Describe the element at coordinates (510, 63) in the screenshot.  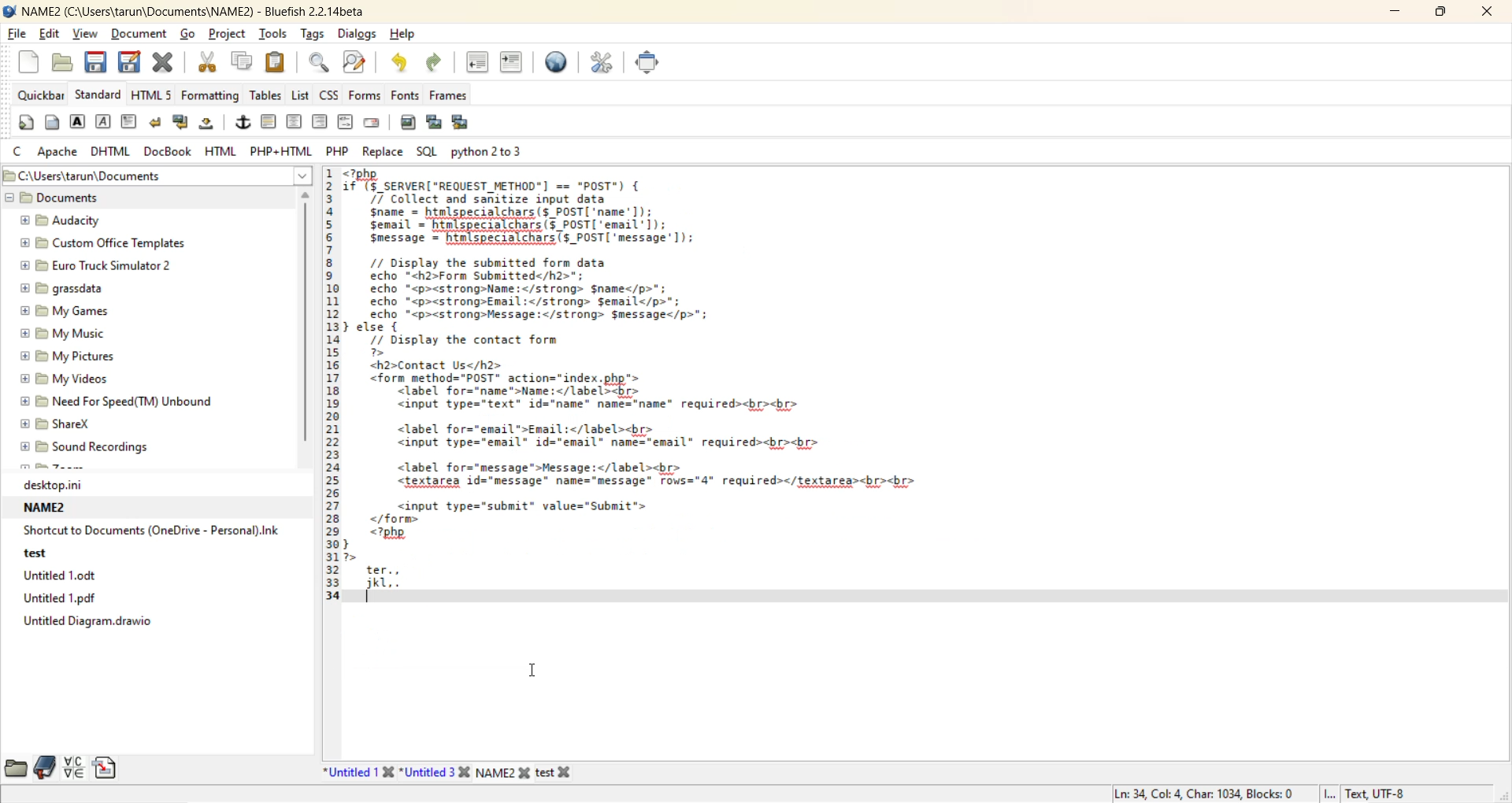
I see `indent` at that location.